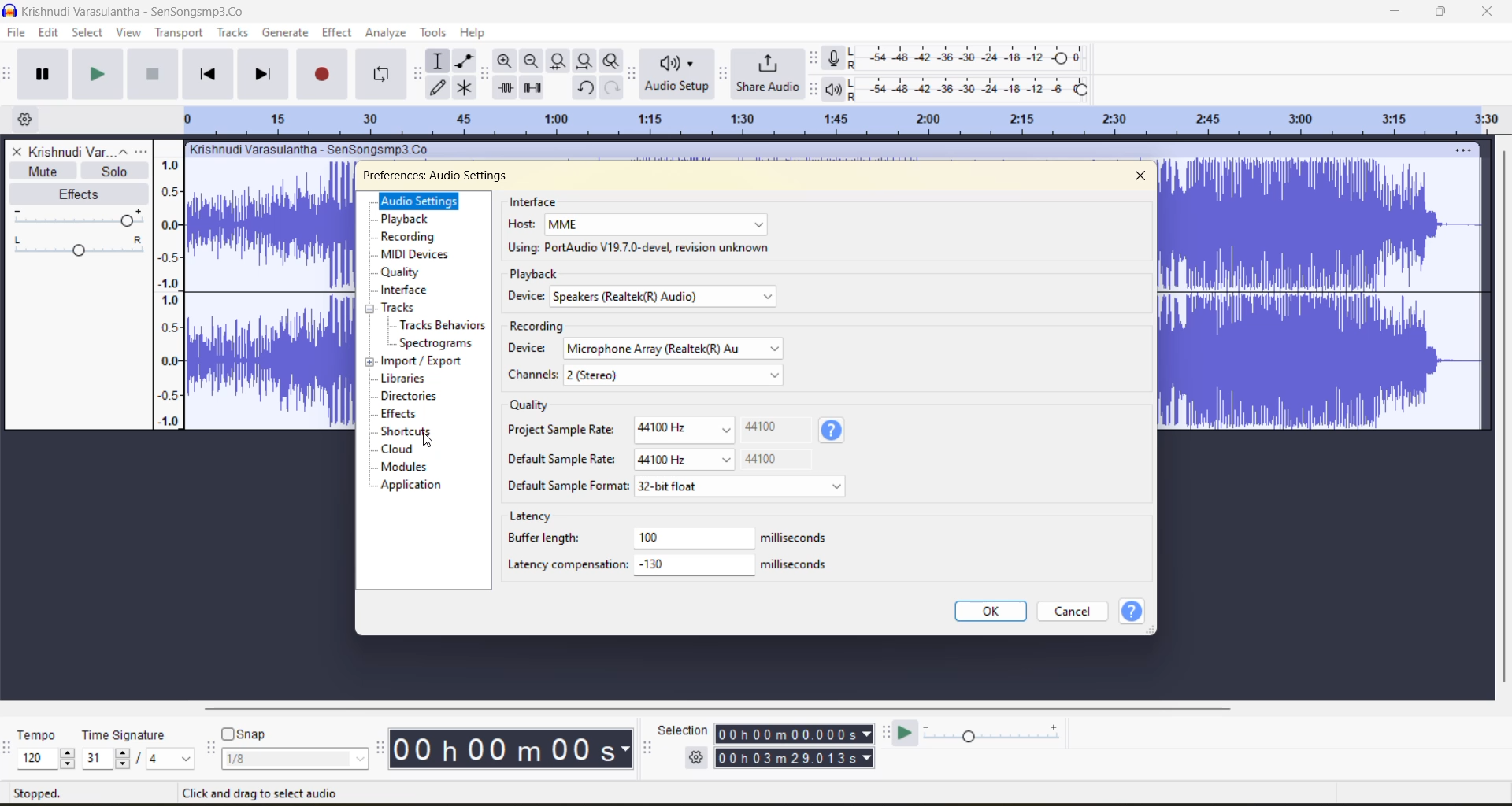 This screenshot has width=1512, height=806. I want to click on minimize, so click(1399, 13).